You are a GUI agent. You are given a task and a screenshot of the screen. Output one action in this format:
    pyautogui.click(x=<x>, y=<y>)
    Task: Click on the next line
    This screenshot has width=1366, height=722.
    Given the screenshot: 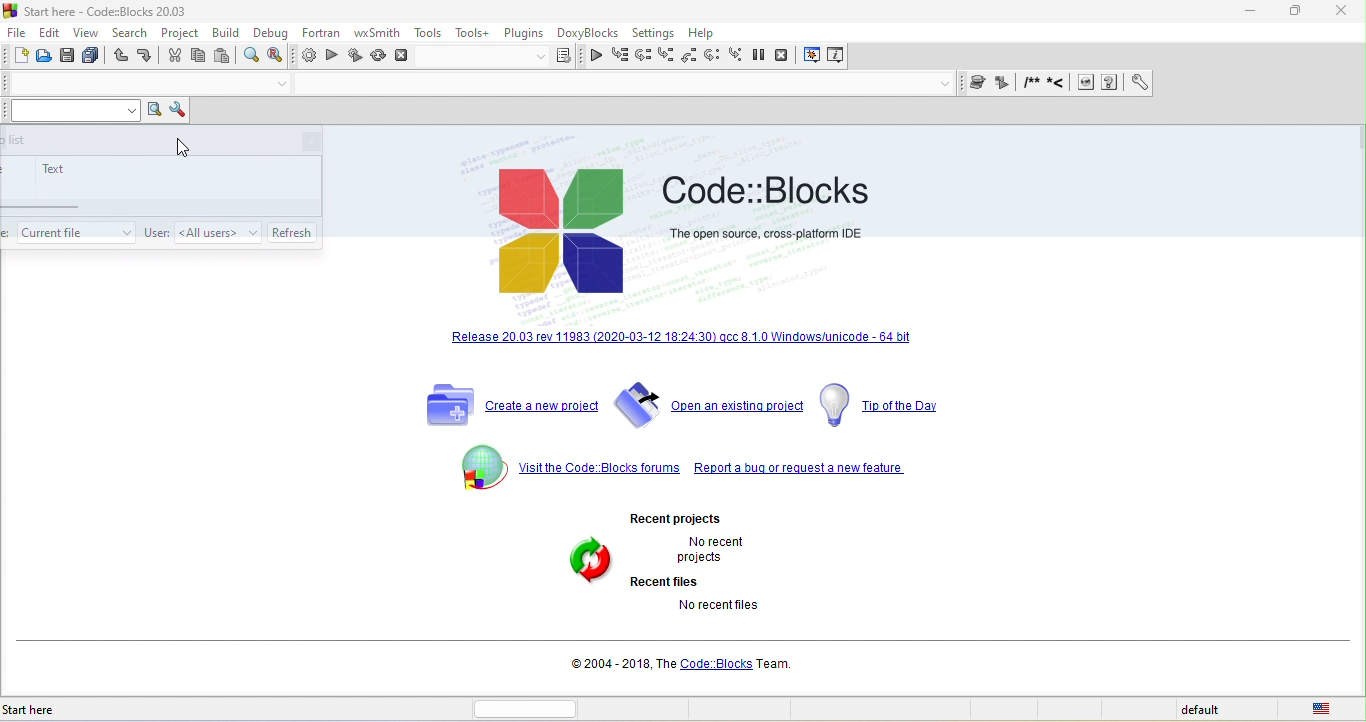 What is the action you would take?
    pyautogui.click(x=642, y=55)
    